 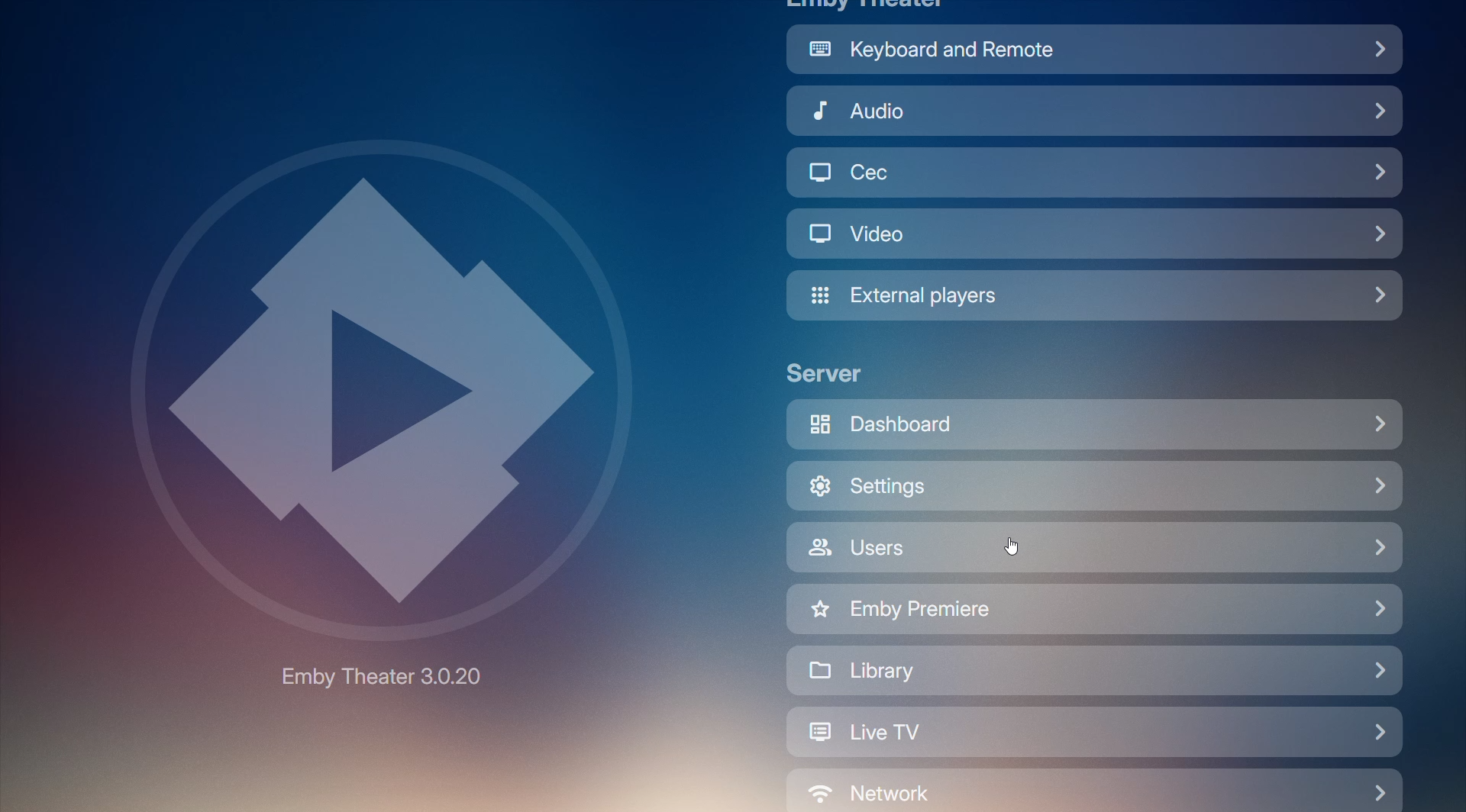 What do you see at coordinates (1090, 51) in the screenshot?
I see `Keyboard and Remote` at bounding box center [1090, 51].